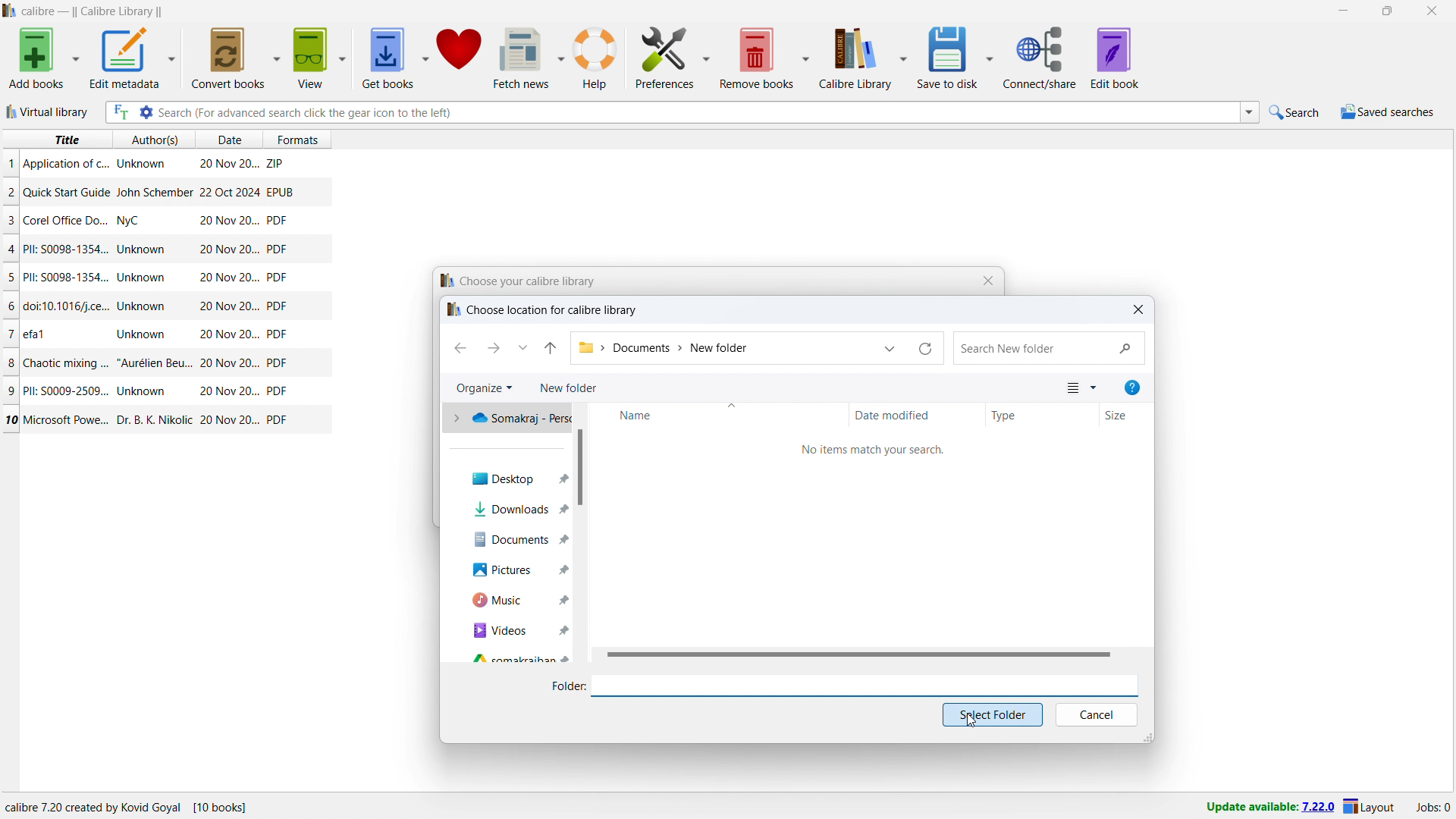  Describe the element at coordinates (982, 282) in the screenshot. I see `Close` at that location.